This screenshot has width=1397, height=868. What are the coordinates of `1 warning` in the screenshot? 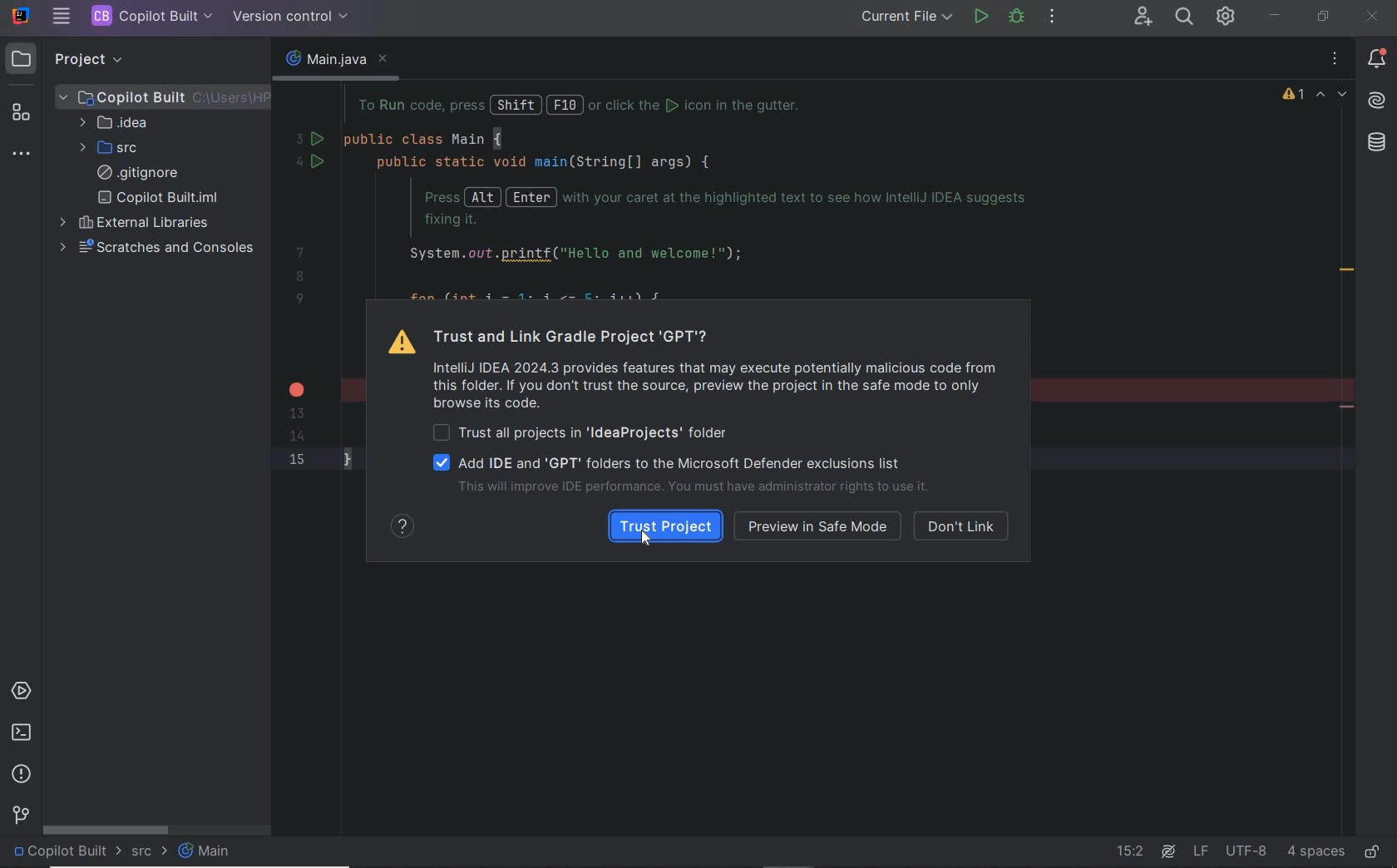 It's located at (1295, 96).